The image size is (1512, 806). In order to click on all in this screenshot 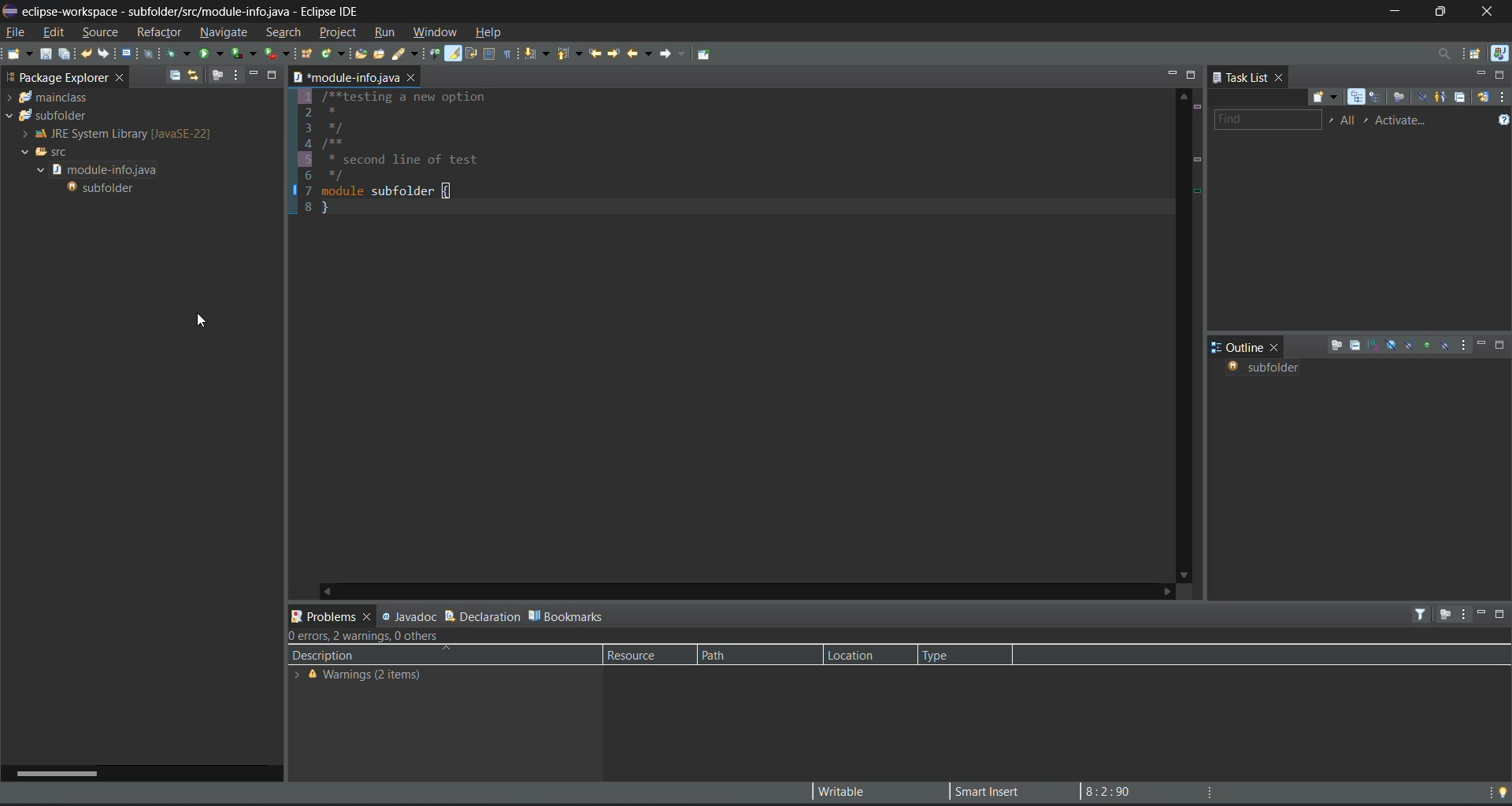, I will do `click(1349, 120)`.